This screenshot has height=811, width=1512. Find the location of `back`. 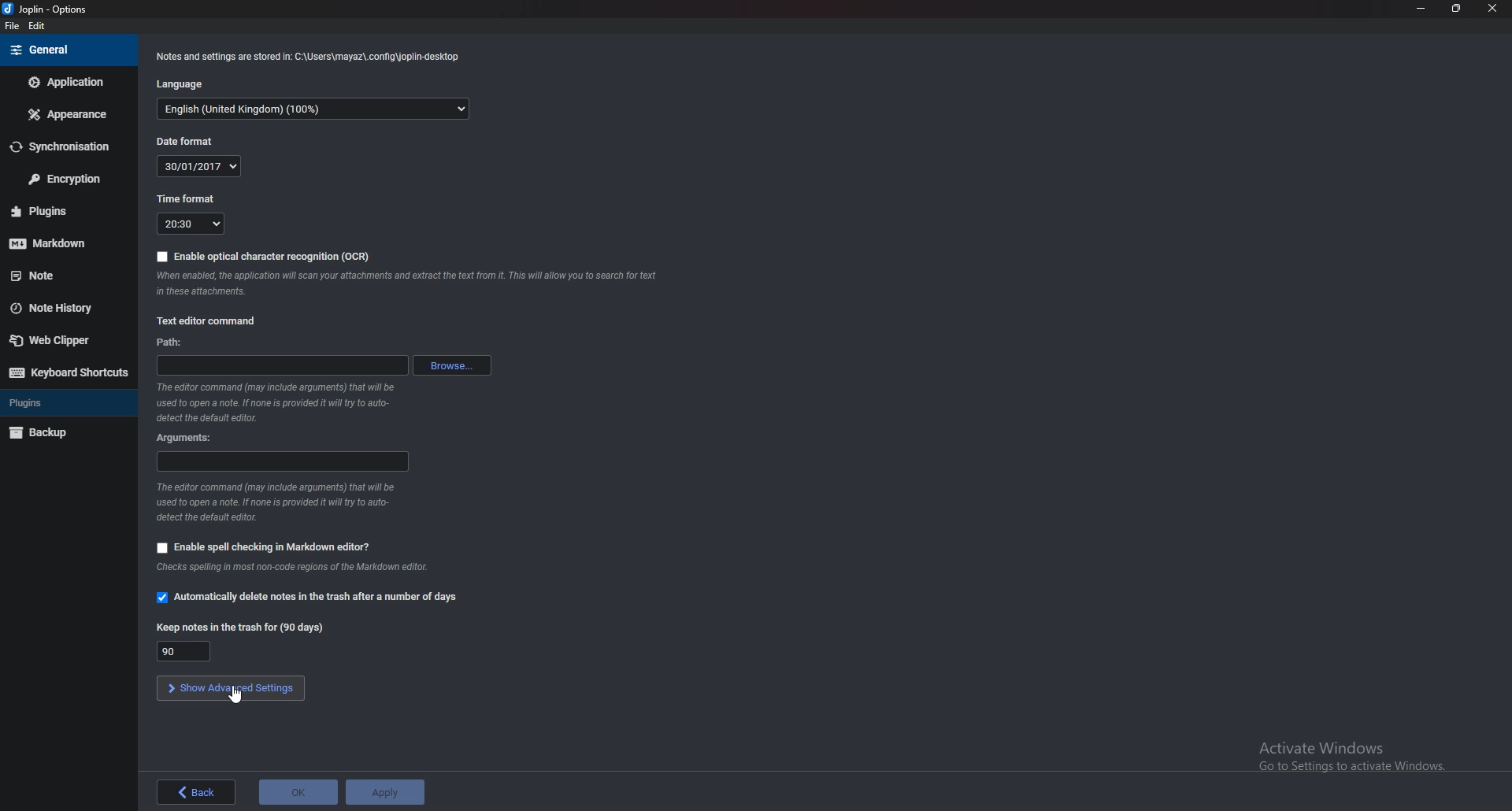

back is located at coordinates (196, 792).